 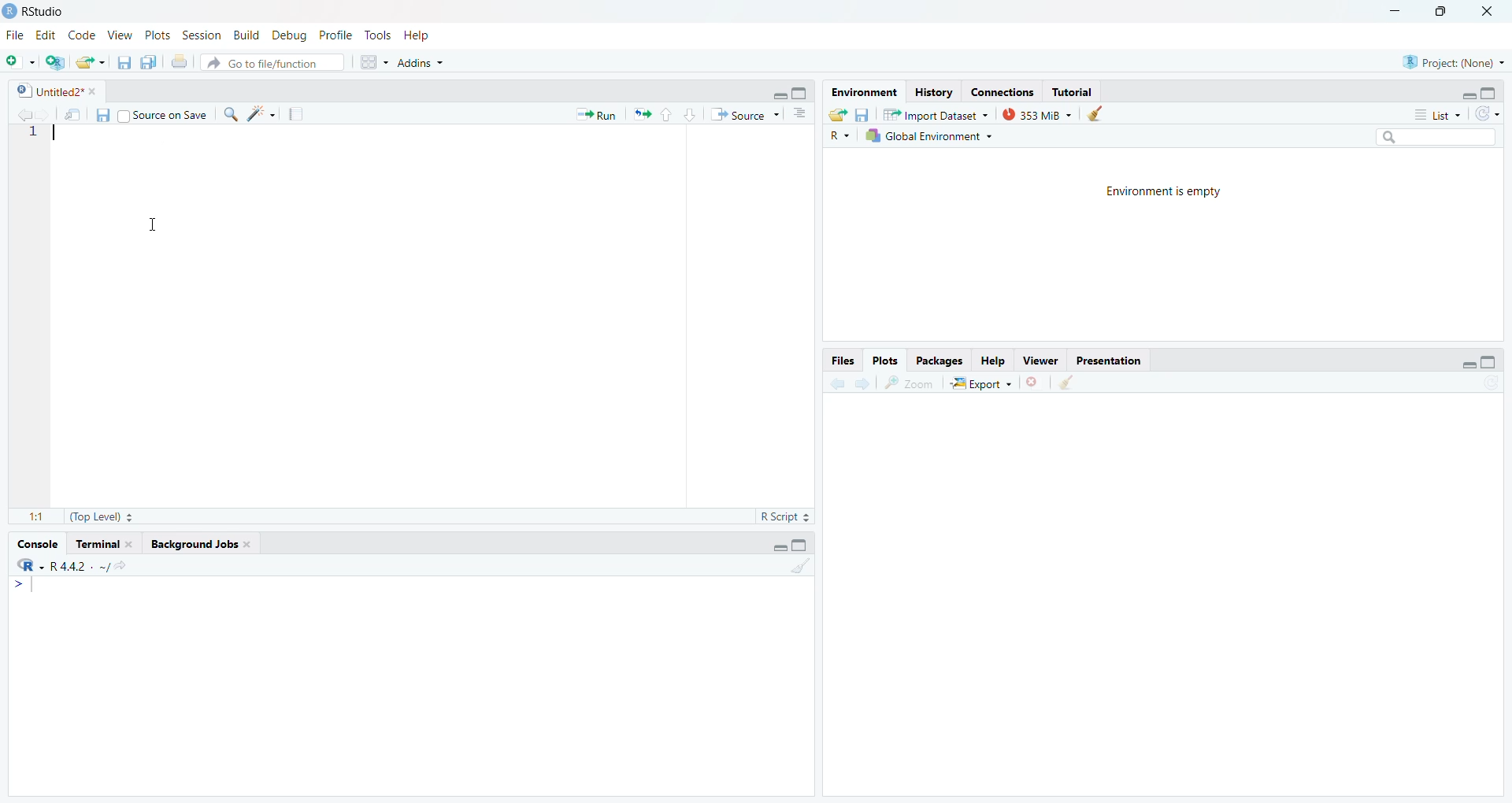 What do you see at coordinates (935, 117) in the screenshot?
I see ` Import Dataset ~` at bounding box center [935, 117].